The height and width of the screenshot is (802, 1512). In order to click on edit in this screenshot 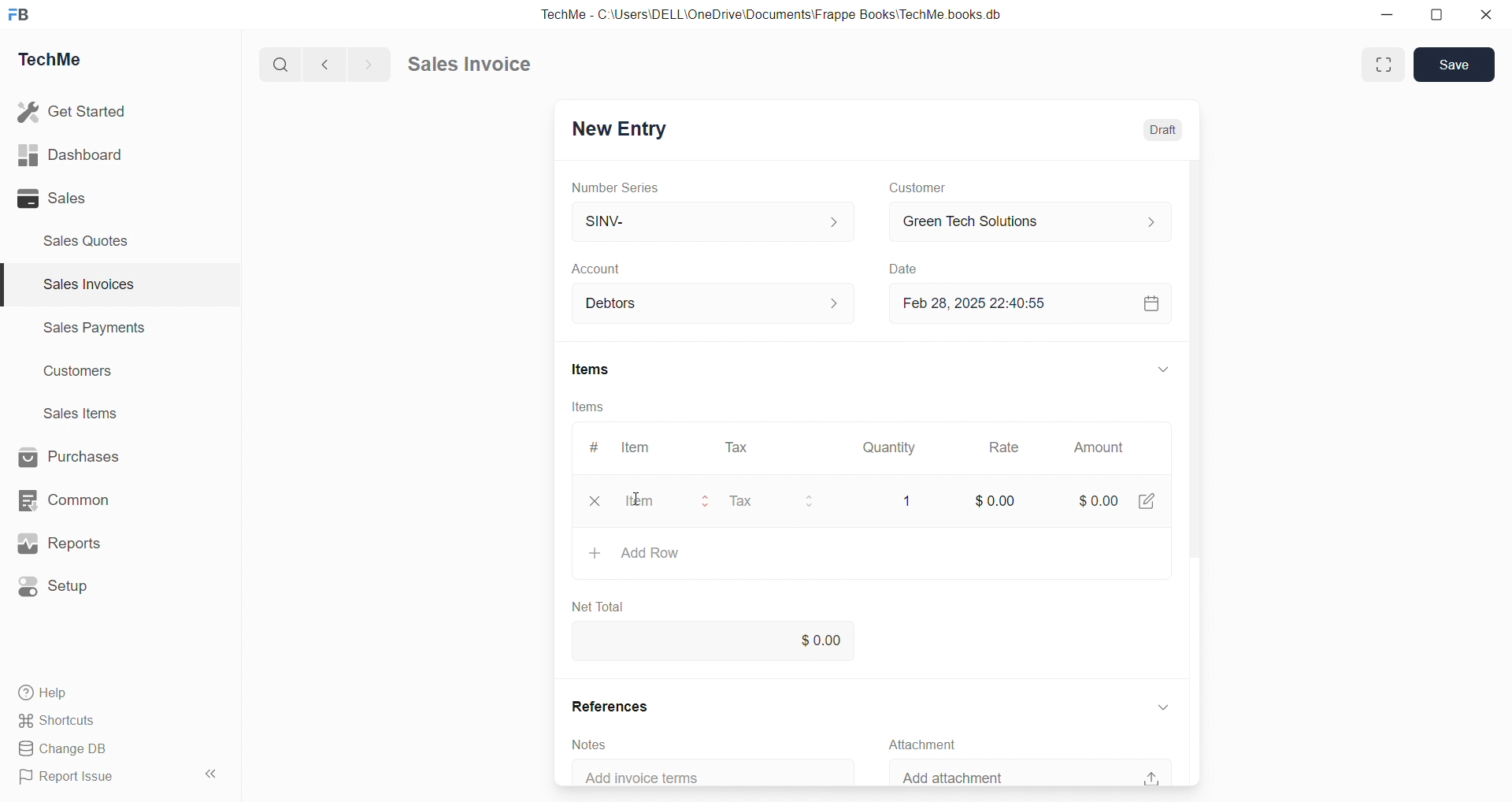, I will do `click(1146, 499)`.